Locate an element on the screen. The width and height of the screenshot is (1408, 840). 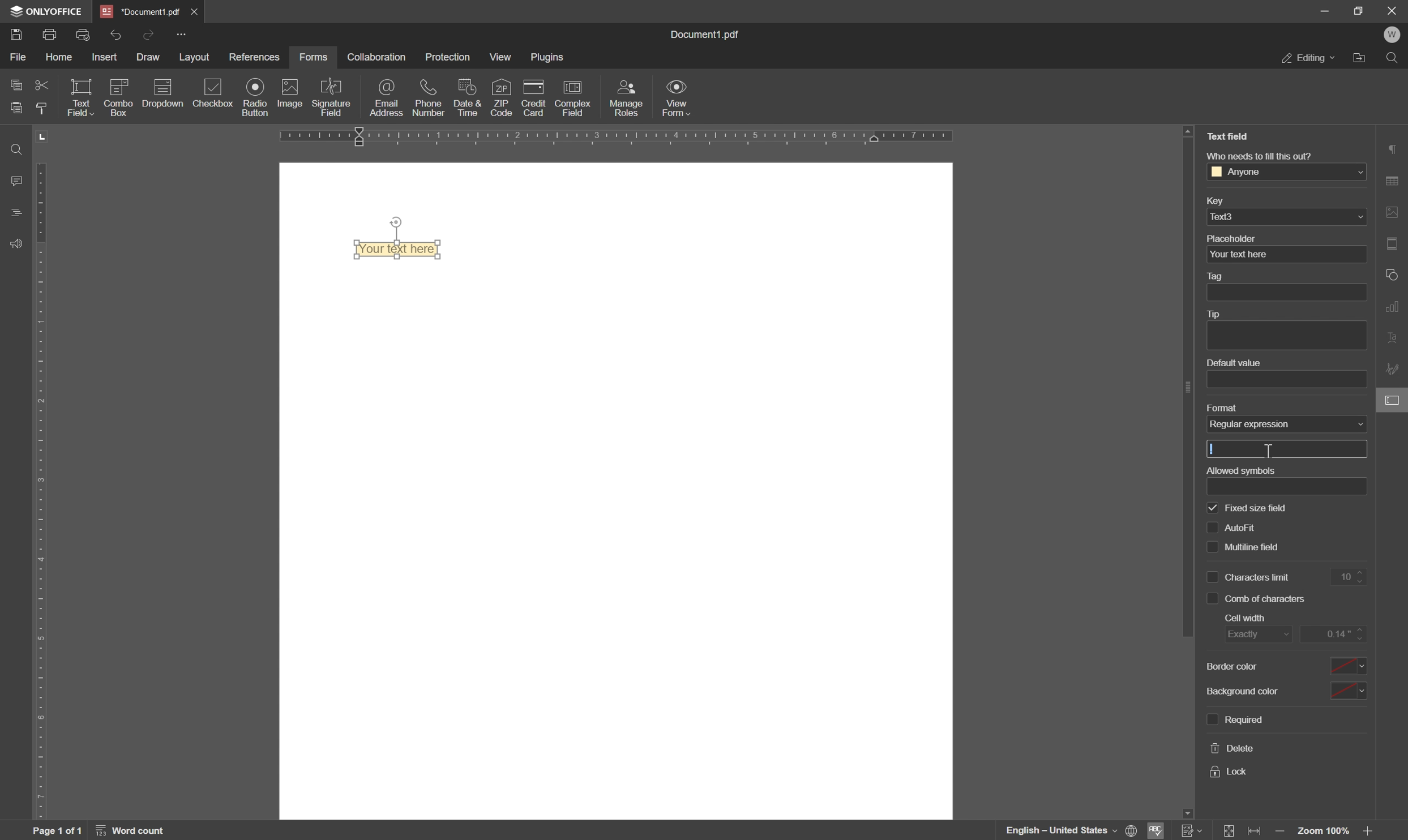
editing is located at coordinates (1308, 59).